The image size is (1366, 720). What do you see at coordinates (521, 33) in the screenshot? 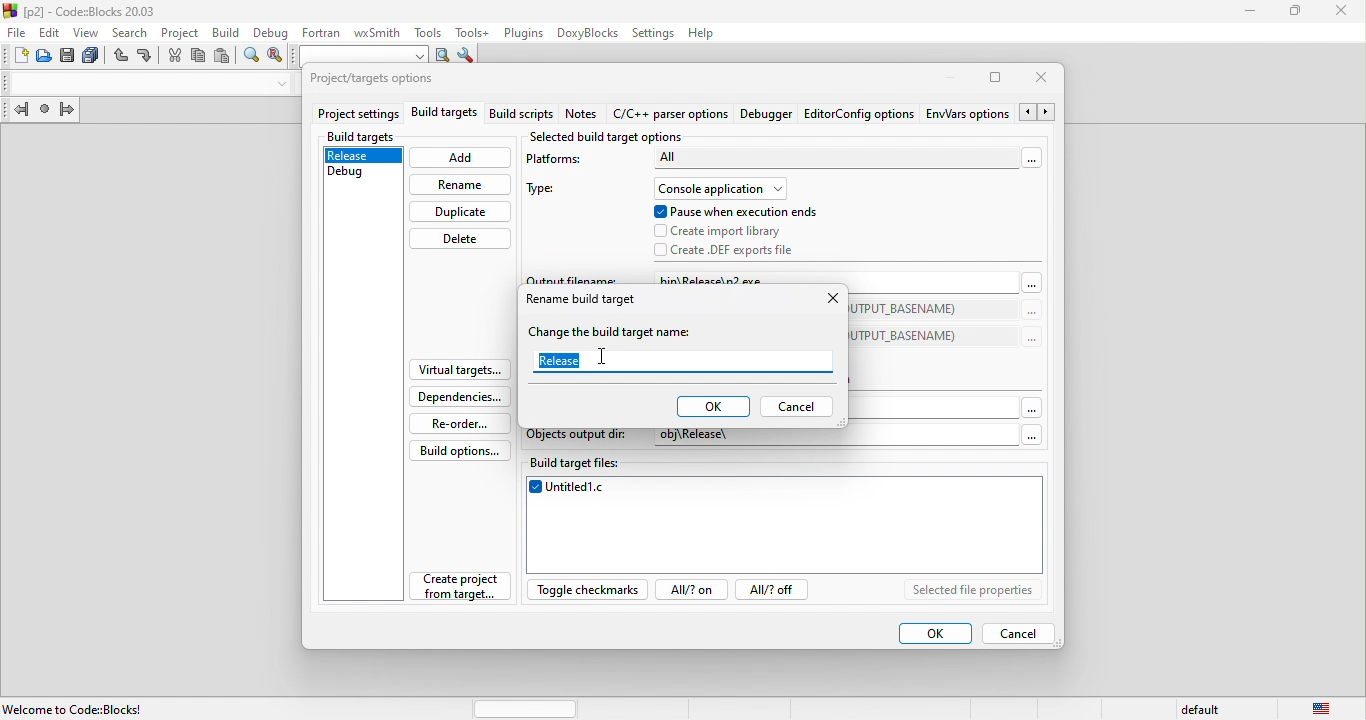
I see `plugins` at bounding box center [521, 33].